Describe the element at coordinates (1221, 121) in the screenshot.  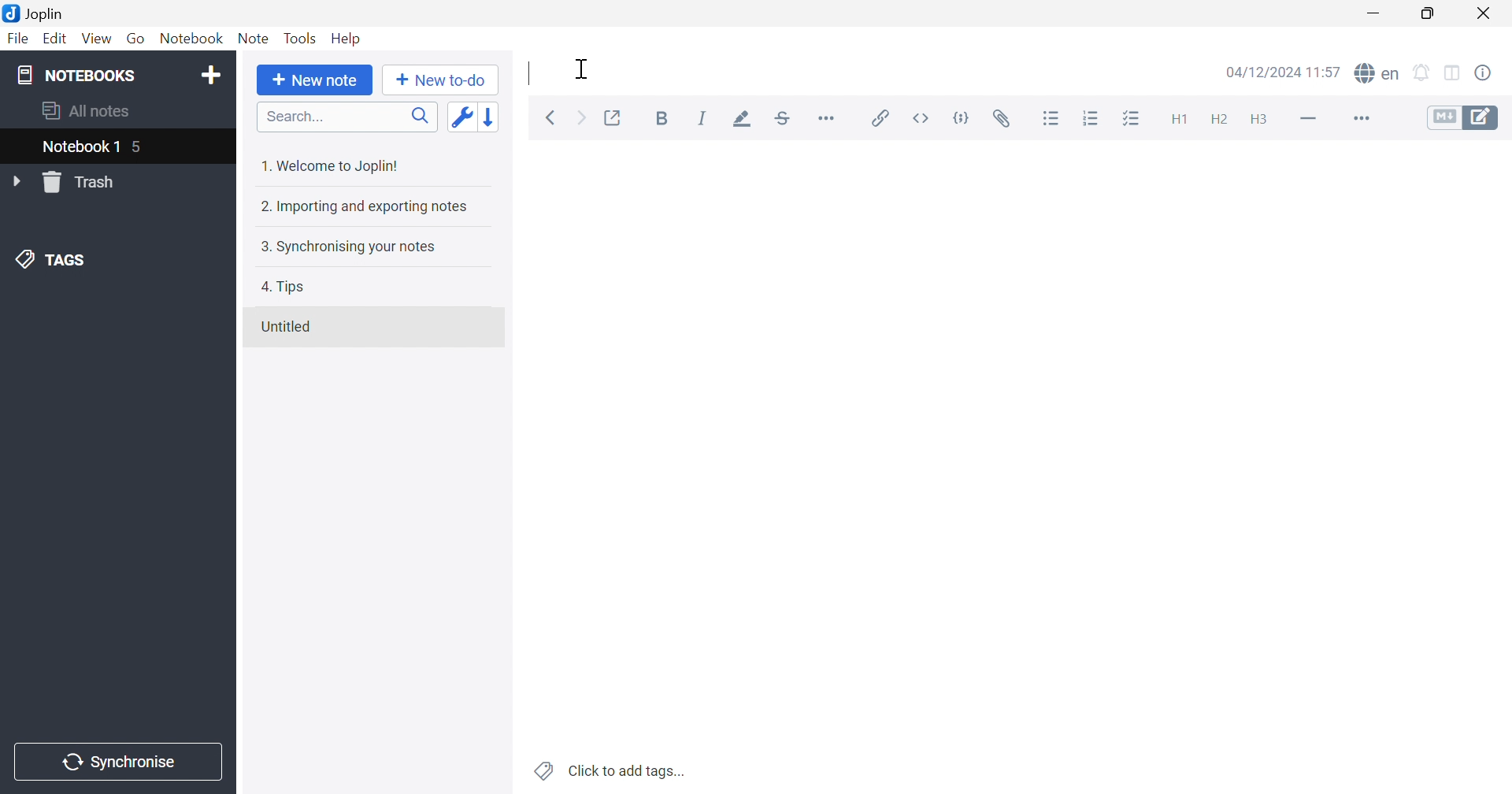
I see `Heading 2` at that location.